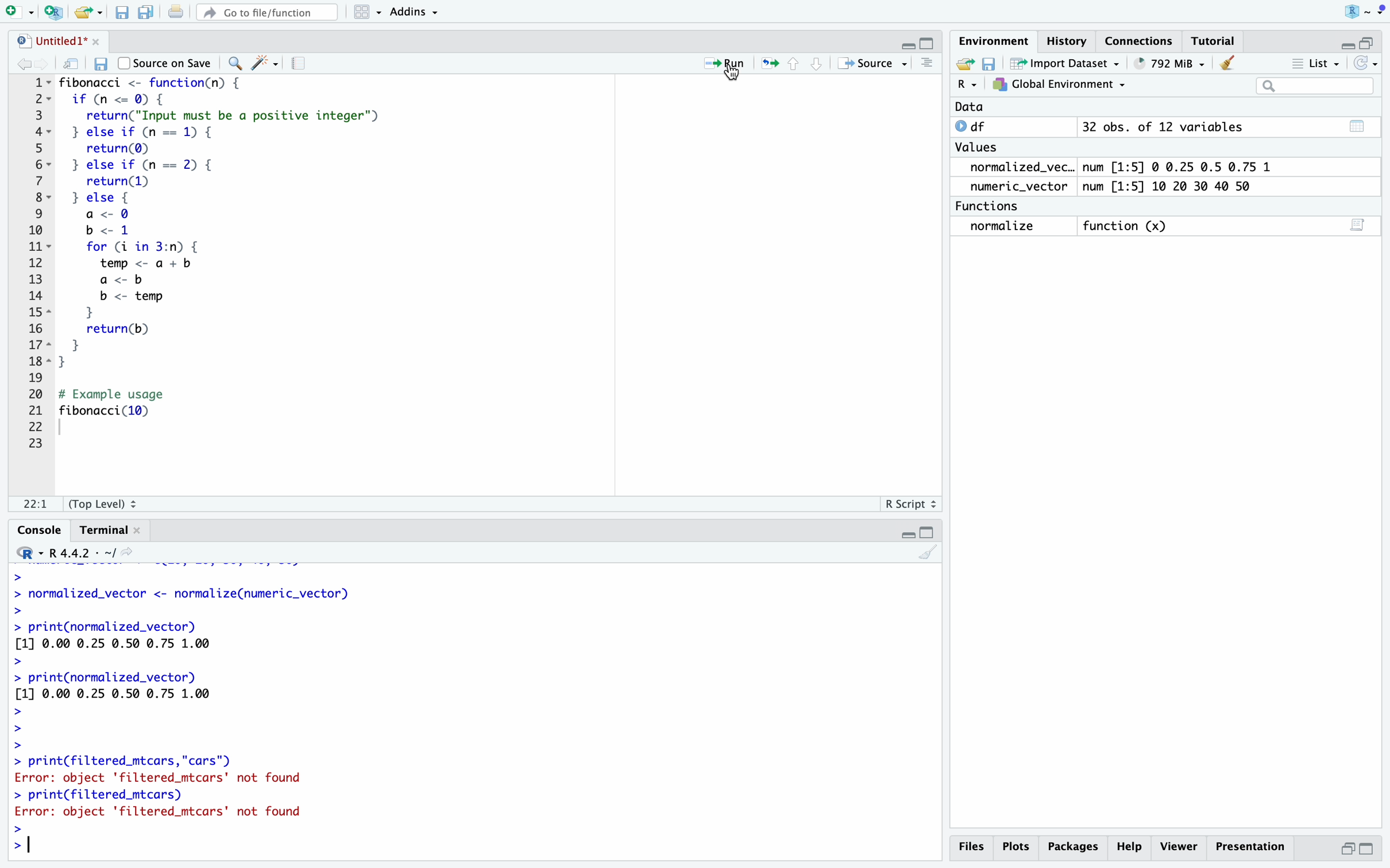 Image resolution: width=1390 pixels, height=868 pixels. Describe the element at coordinates (11, 845) in the screenshot. I see `prompt cursor` at that location.